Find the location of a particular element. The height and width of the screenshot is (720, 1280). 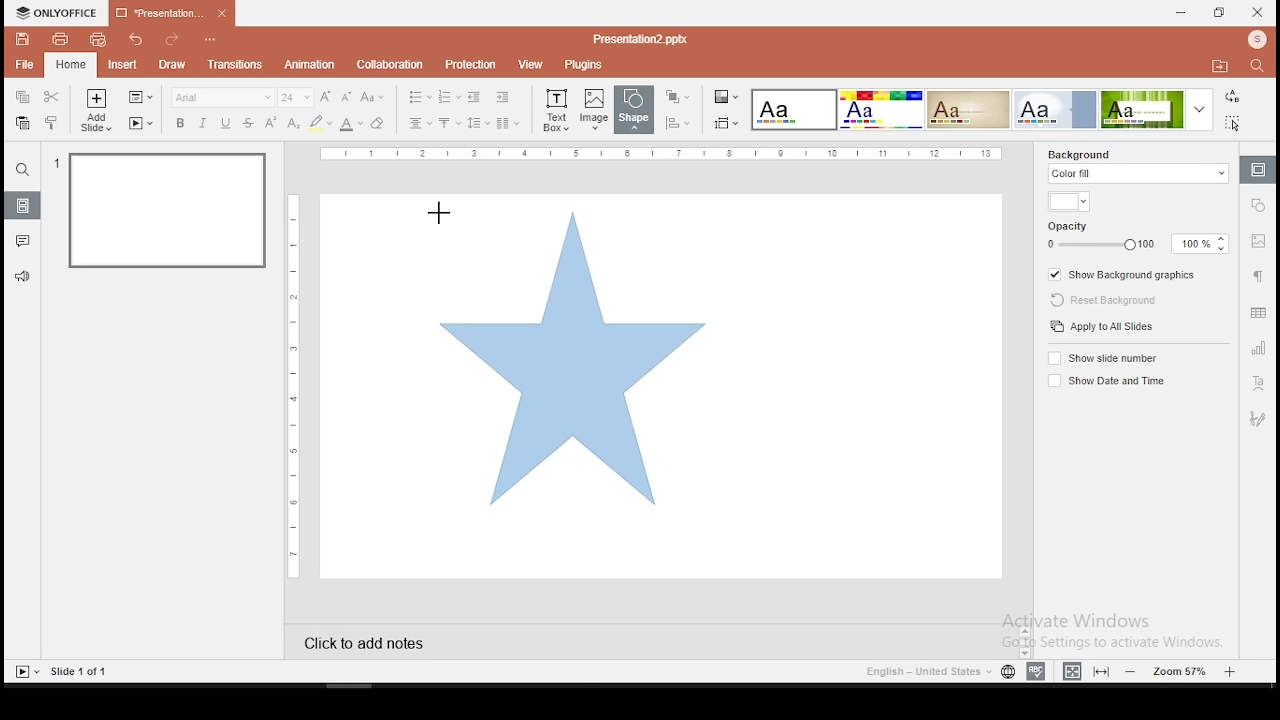

start slideshow is located at coordinates (26, 672).